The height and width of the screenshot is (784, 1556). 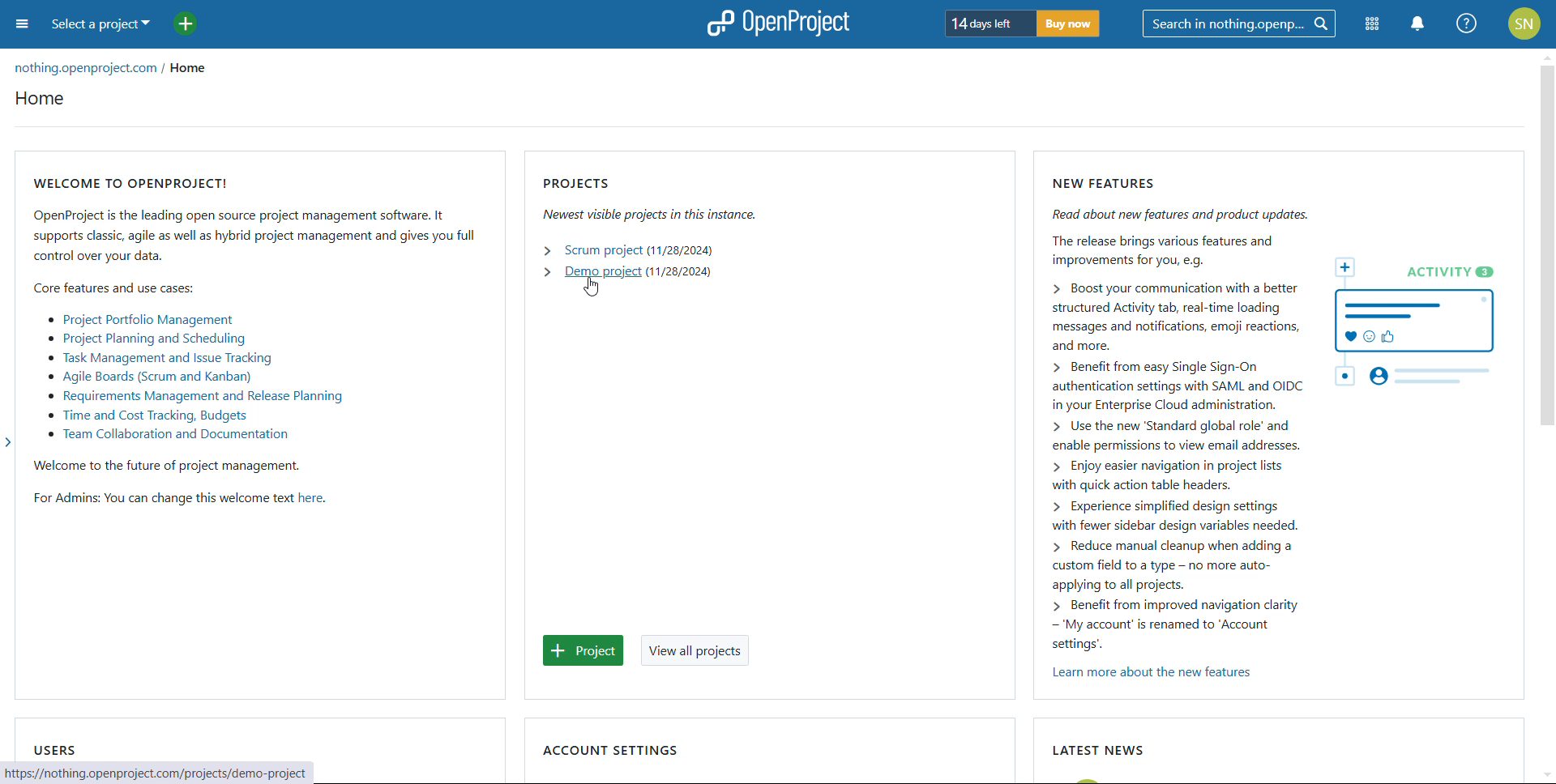 I want to click on project planning & scheduling, so click(x=144, y=338).